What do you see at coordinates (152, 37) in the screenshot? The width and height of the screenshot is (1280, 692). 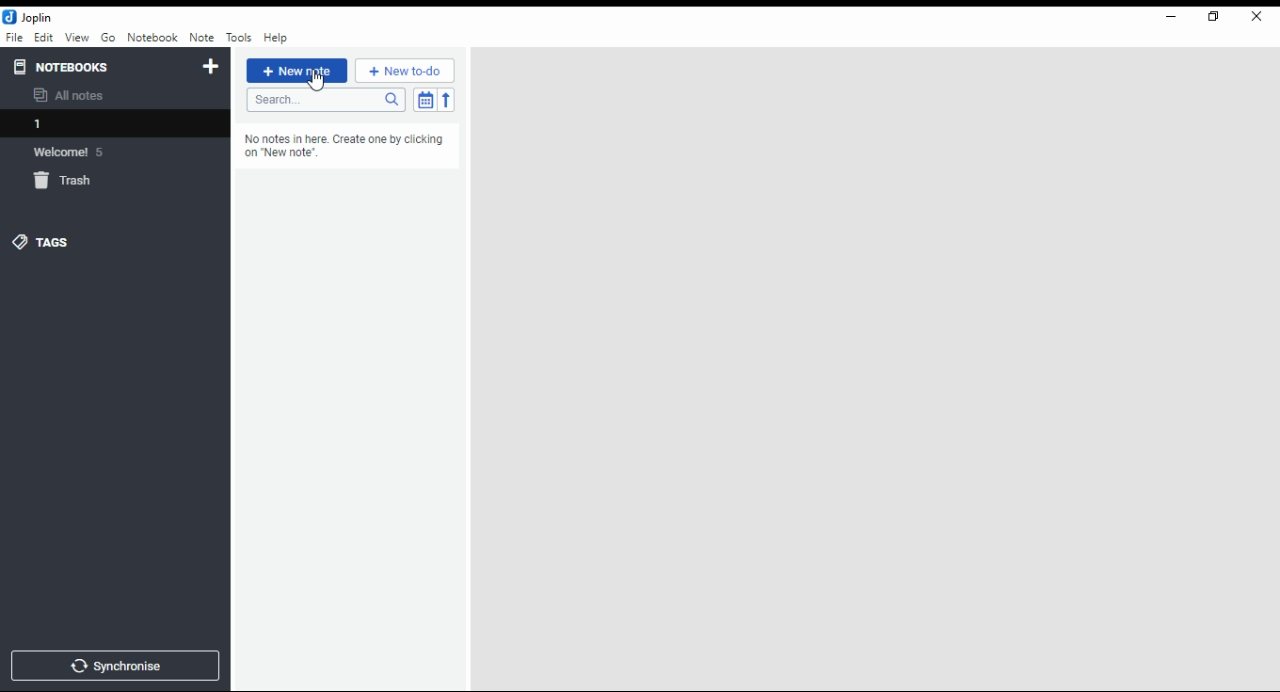 I see `notebook` at bounding box center [152, 37].